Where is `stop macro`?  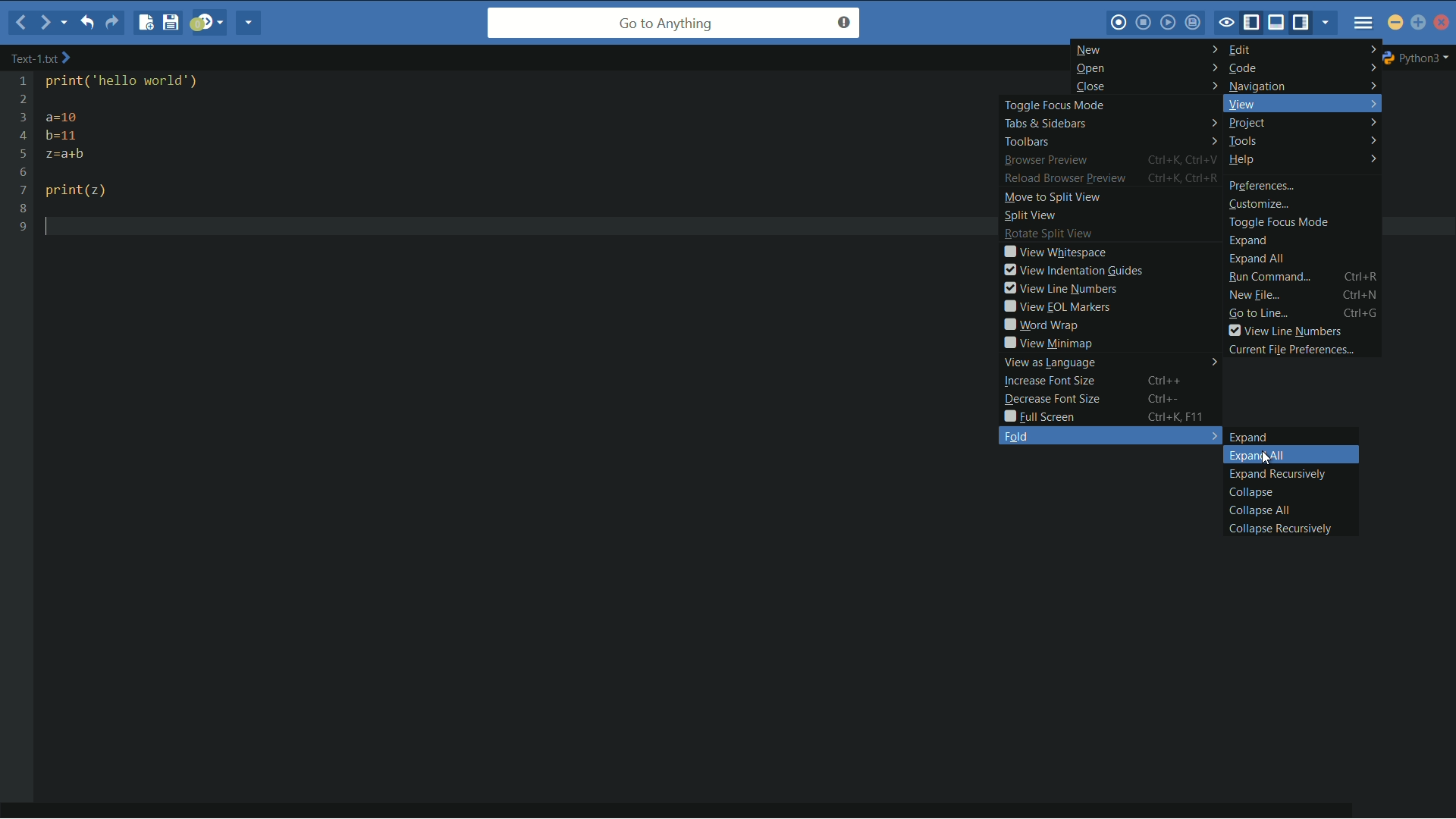
stop macro is located at coordinates (1145, 24).